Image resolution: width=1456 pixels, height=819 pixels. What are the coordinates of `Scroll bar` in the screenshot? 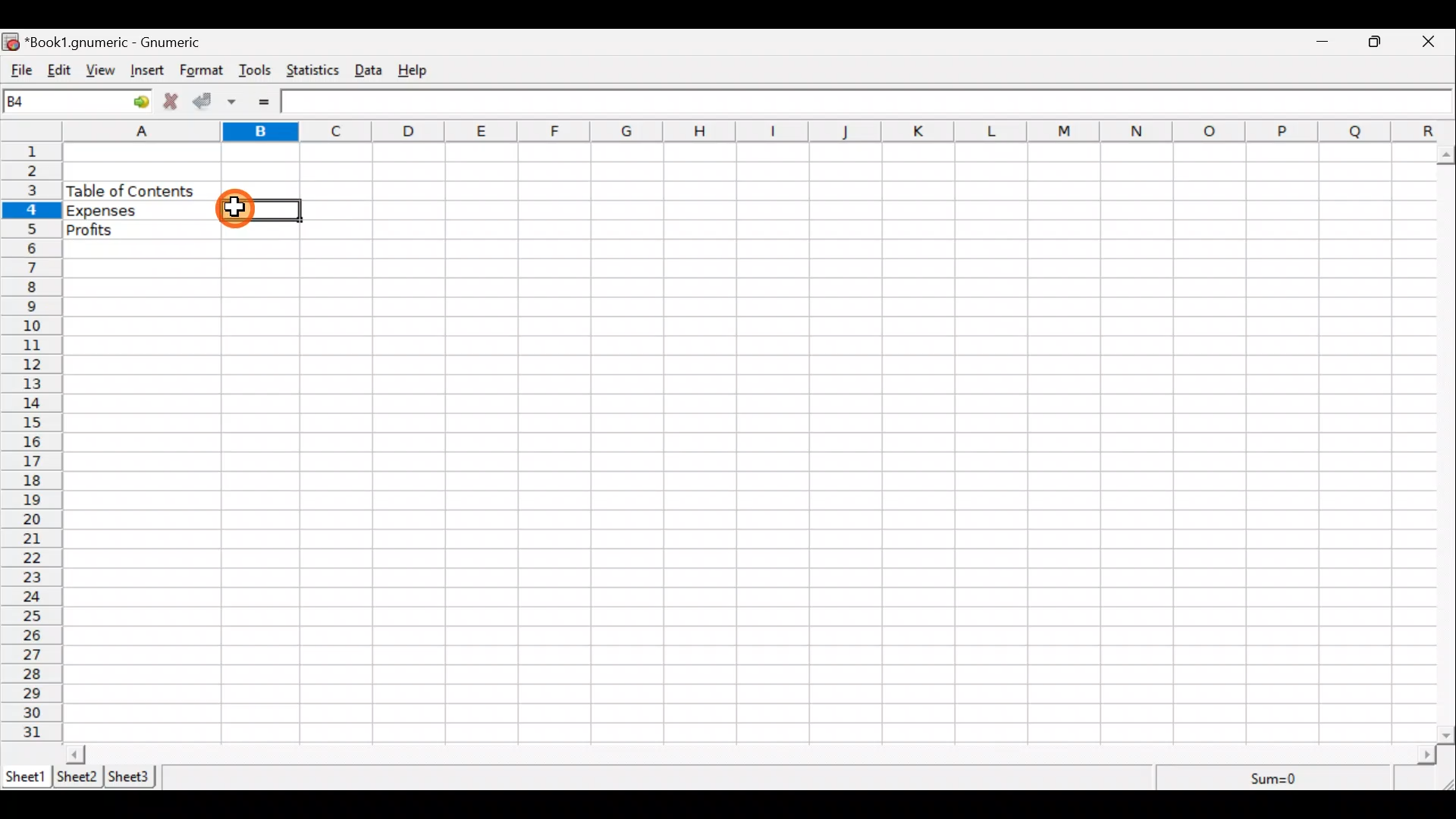 It's located at (1447, 441).